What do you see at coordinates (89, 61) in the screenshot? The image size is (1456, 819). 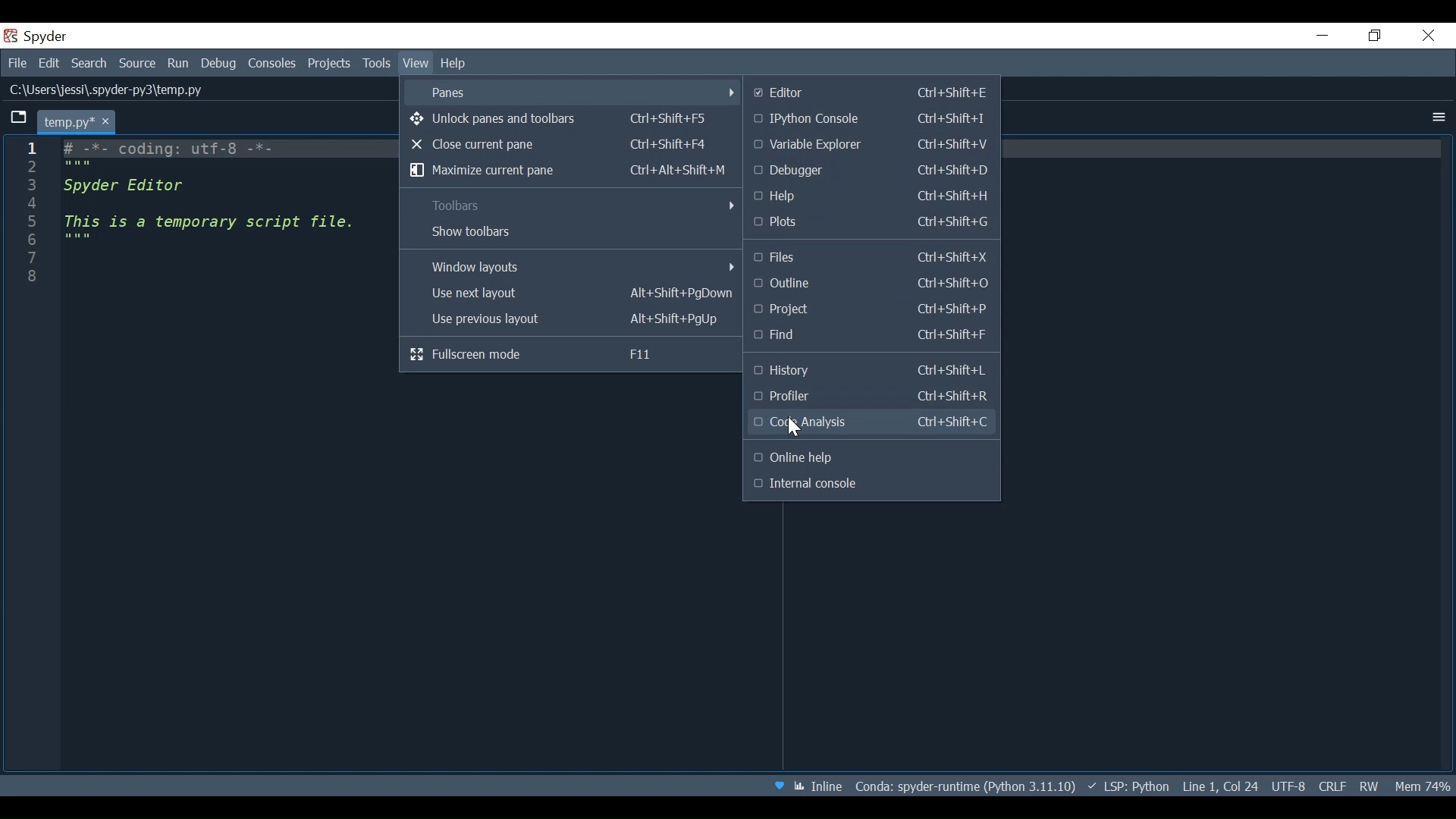 I see `Search` at bounding box center [89, 61].